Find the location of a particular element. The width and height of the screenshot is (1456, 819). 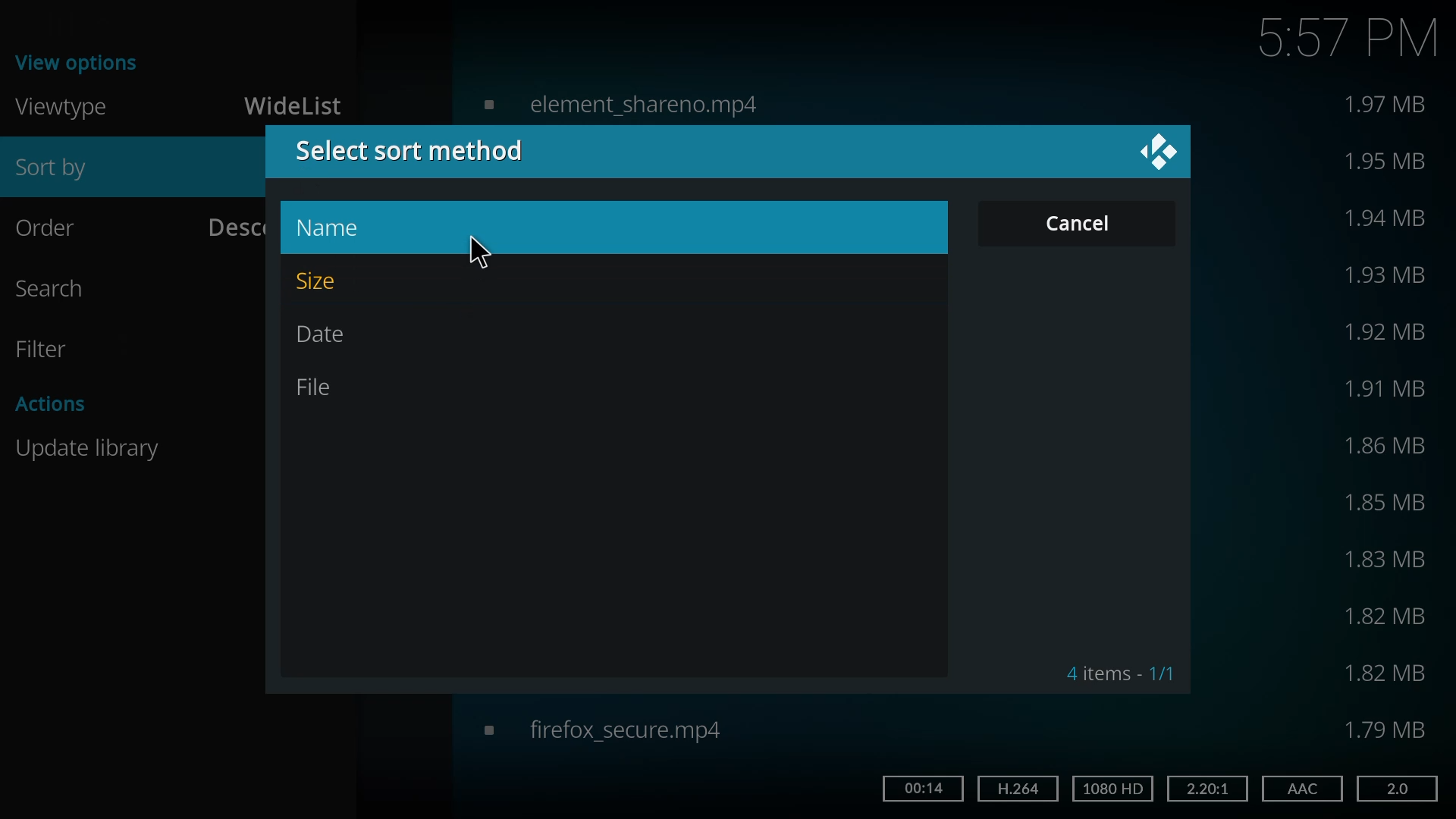

size is located at coordinates (1391, 275).